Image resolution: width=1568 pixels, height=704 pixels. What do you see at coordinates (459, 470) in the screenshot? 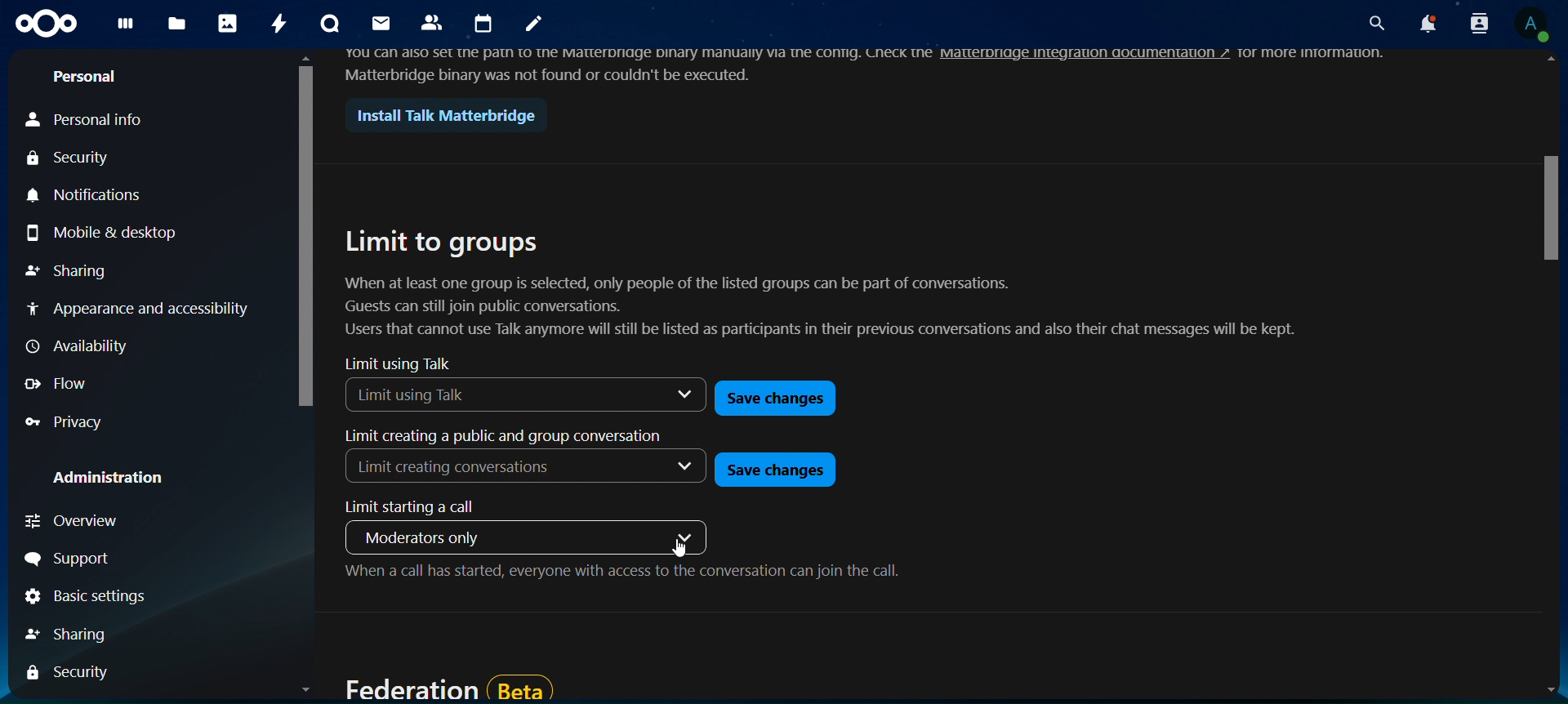
I see `Limit creating conversations selected` at bounding box center [459, 470].